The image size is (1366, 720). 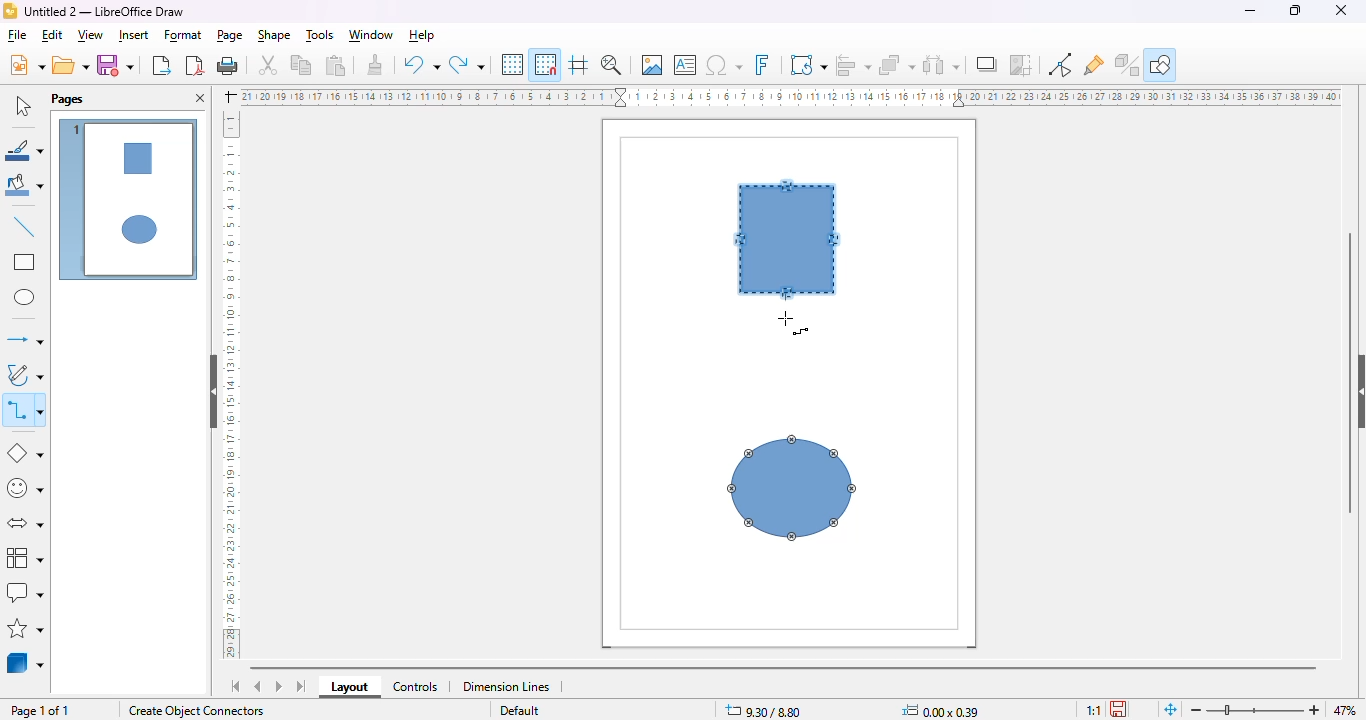 What do you see at coordinates (25, 262) in the screenshot?
I see `rectangle` at bounding box center [25, 262].